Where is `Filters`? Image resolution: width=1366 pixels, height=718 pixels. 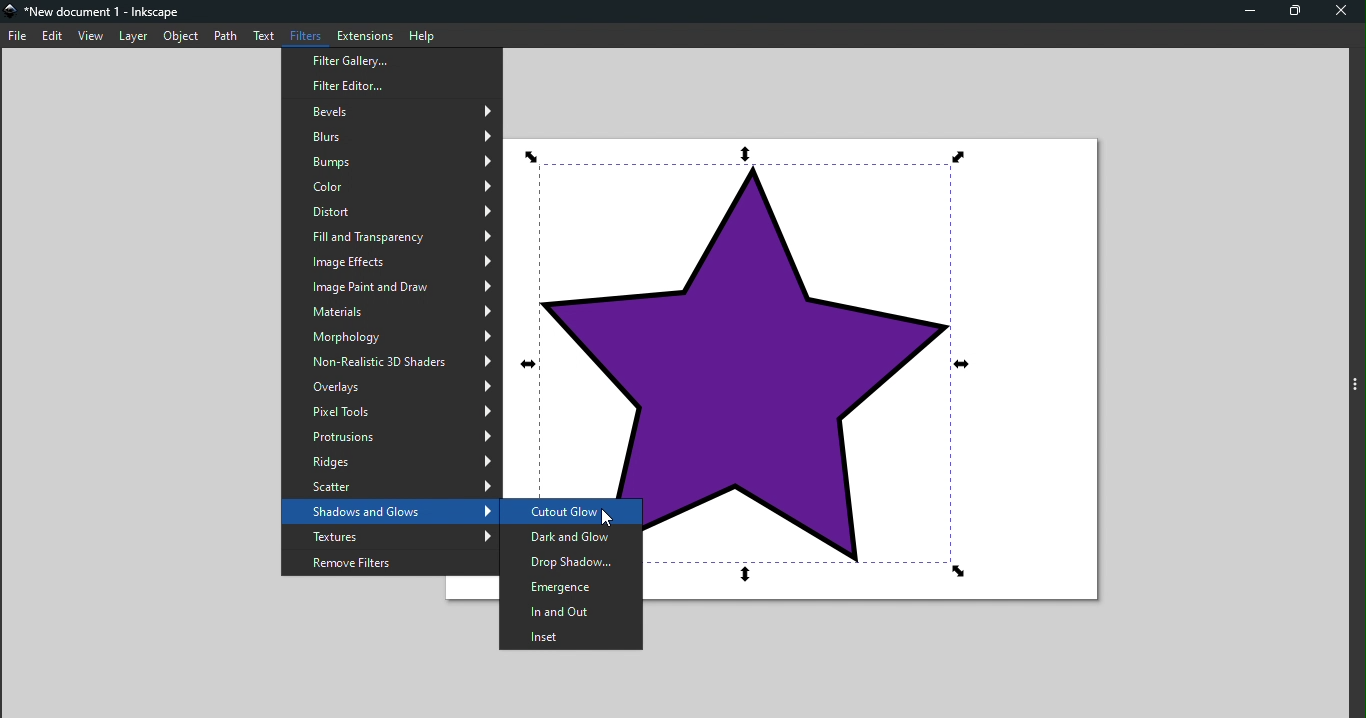
Filters is located at coordinates (305, 35).